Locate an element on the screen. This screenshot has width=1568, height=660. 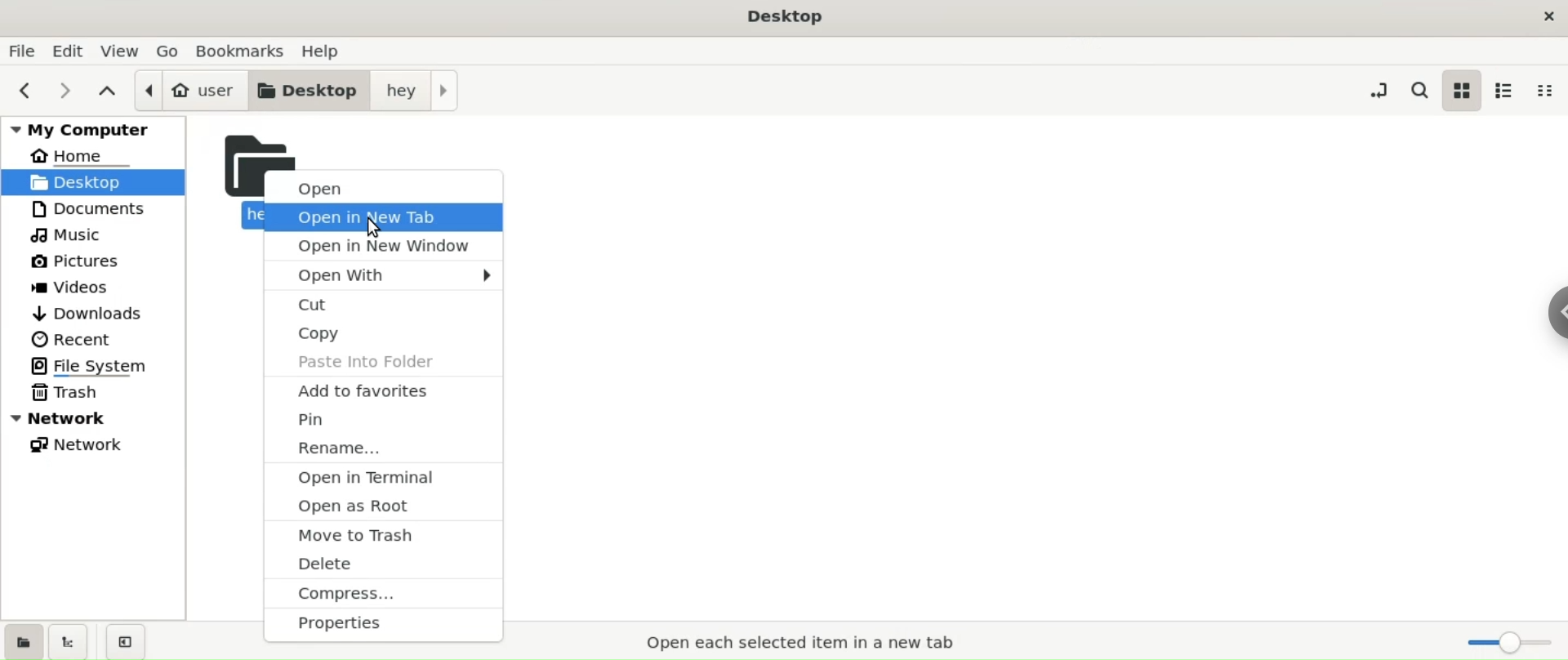
documents is located at coordinates (100, 209).